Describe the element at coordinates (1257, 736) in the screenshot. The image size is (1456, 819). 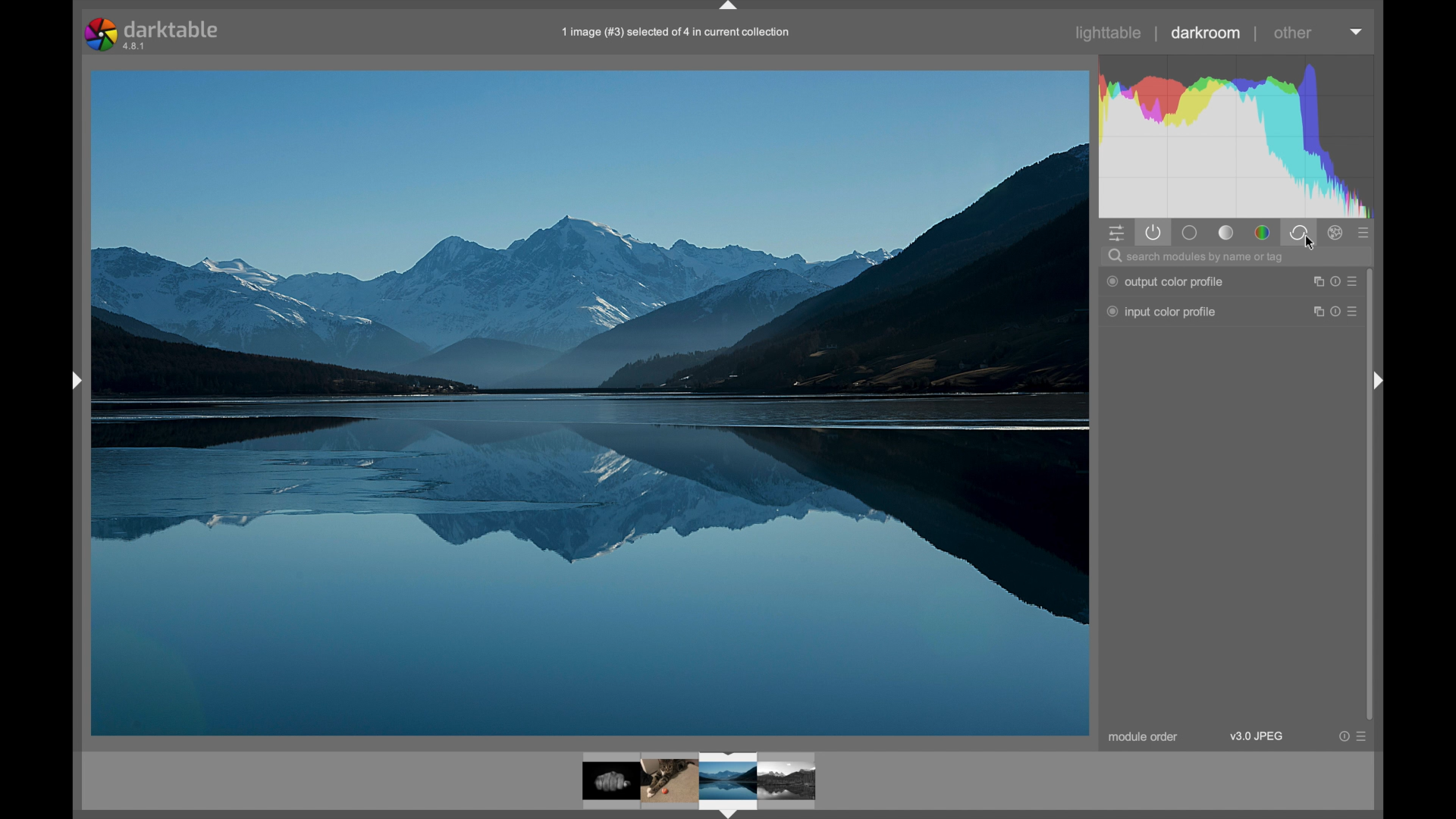
I see `v3.0 jpeg` at that location.